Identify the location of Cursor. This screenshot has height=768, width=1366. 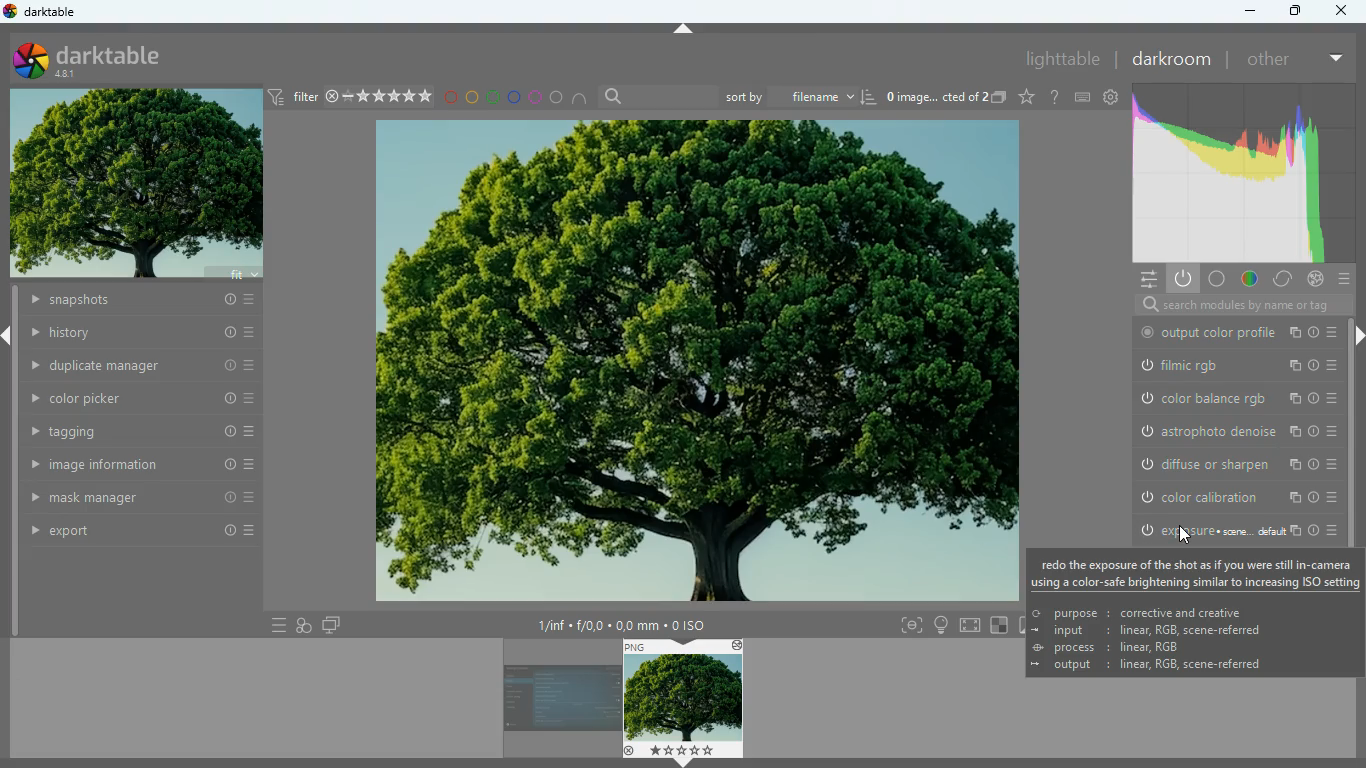
(1182, 535).